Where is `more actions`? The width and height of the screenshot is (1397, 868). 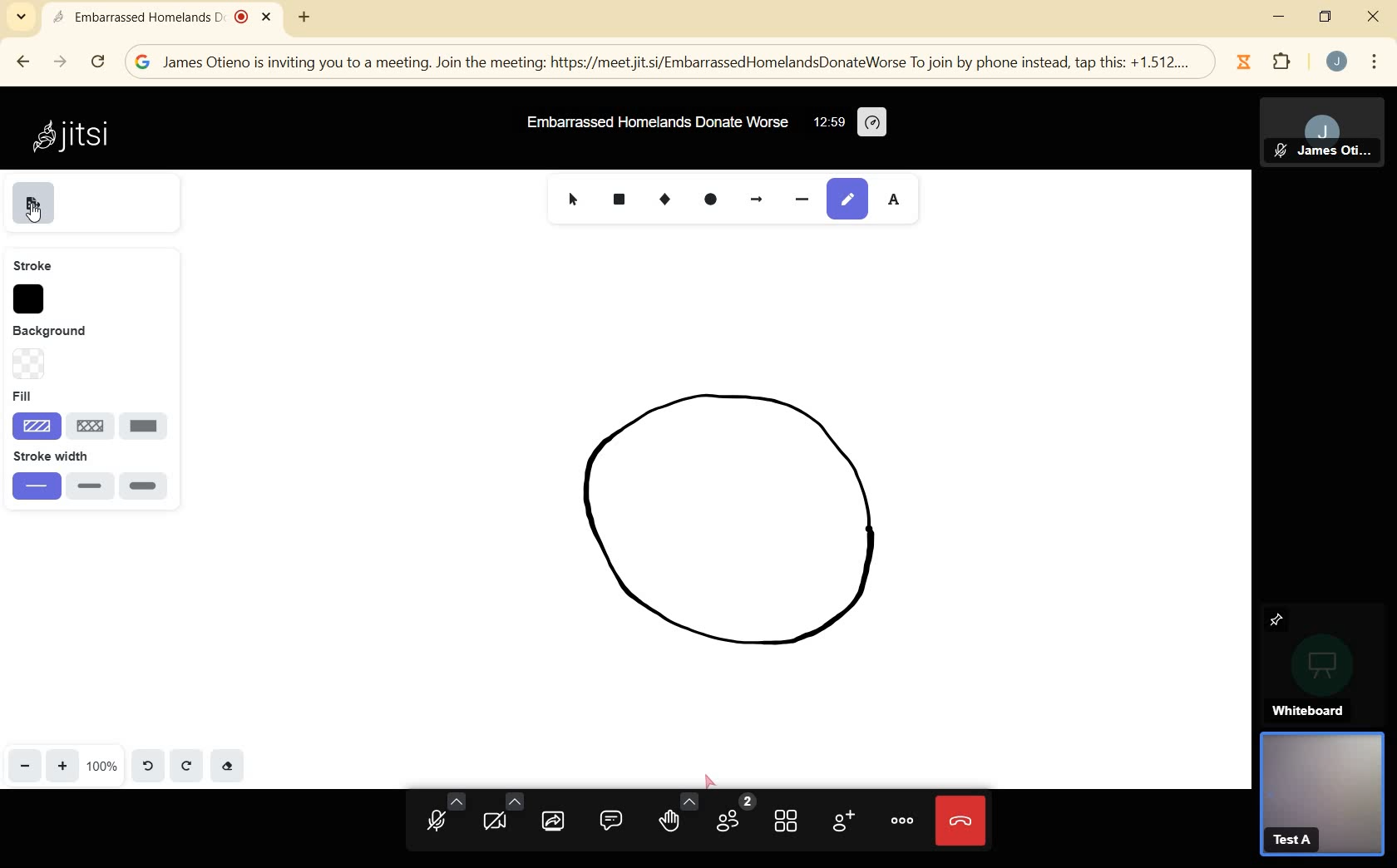
more actions is located at coordinates (902, 819).